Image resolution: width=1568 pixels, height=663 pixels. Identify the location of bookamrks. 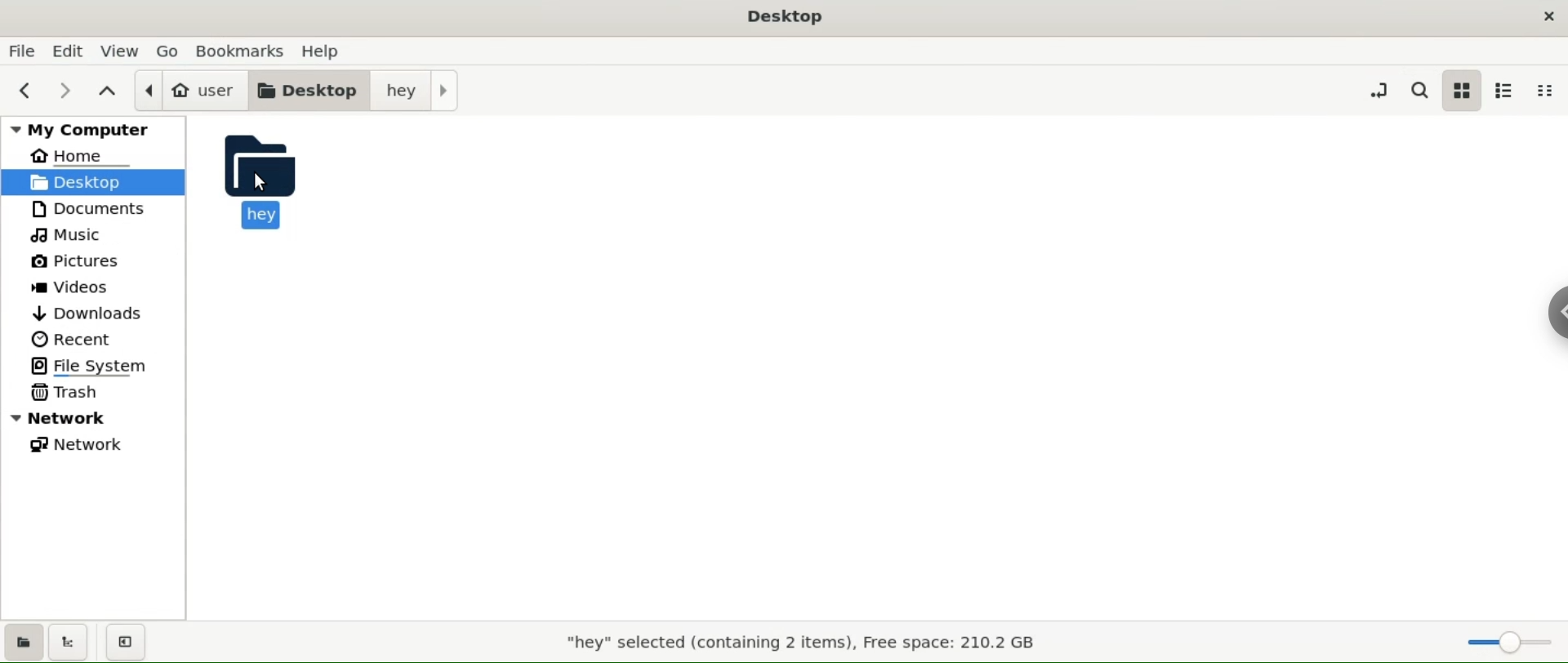
(237, 51).